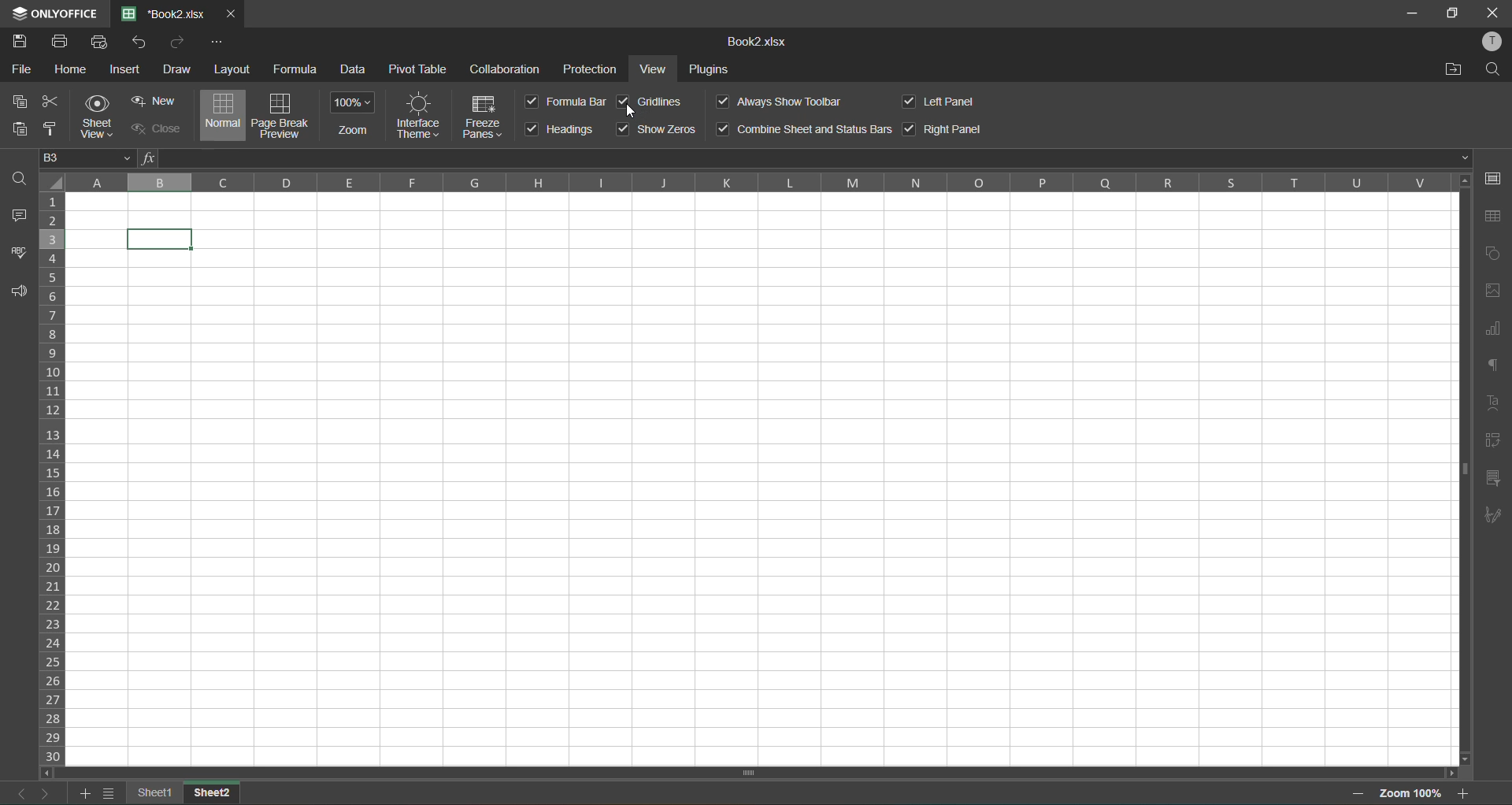 The height and width of the screenshot is (805, 1512). Describe the element at coordinates (213, 793) in the screenshot. I see `sheet 2` at that location.